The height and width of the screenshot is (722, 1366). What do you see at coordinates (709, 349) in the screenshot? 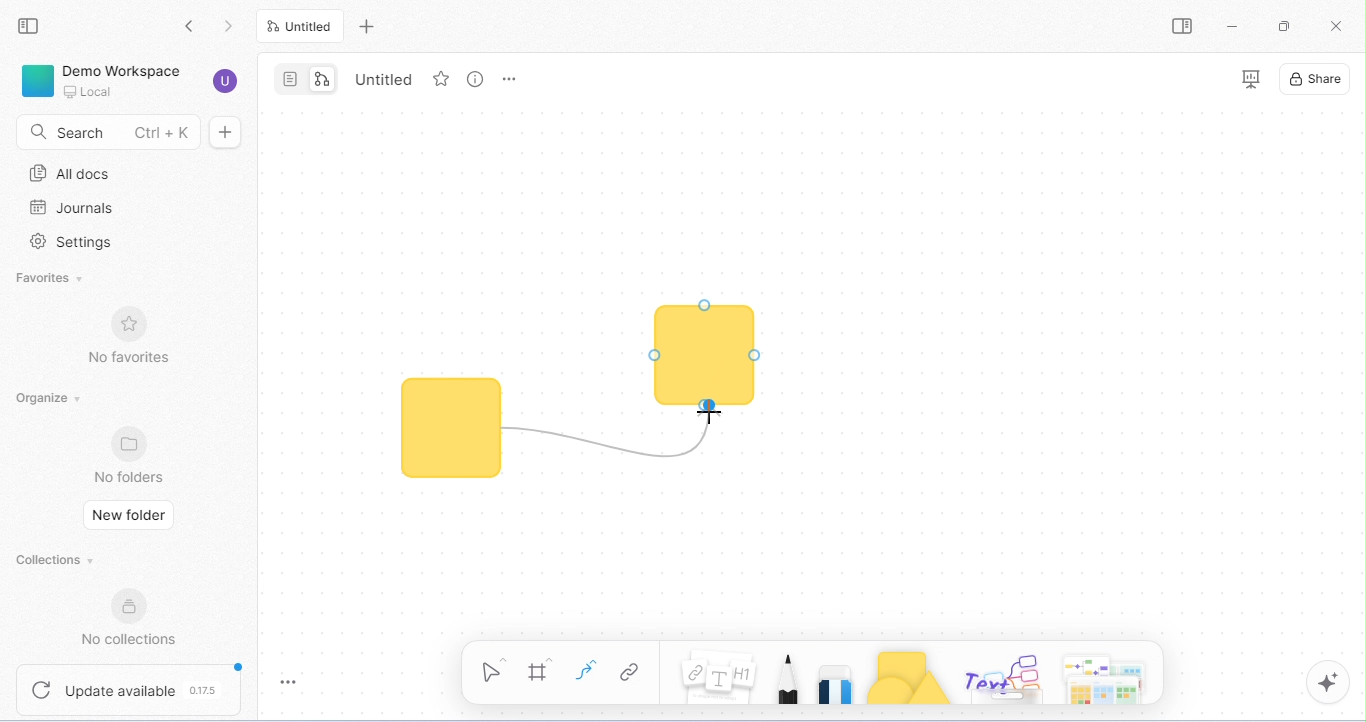
I see `connector moved to another shape ` at bounding box center [709, 349].